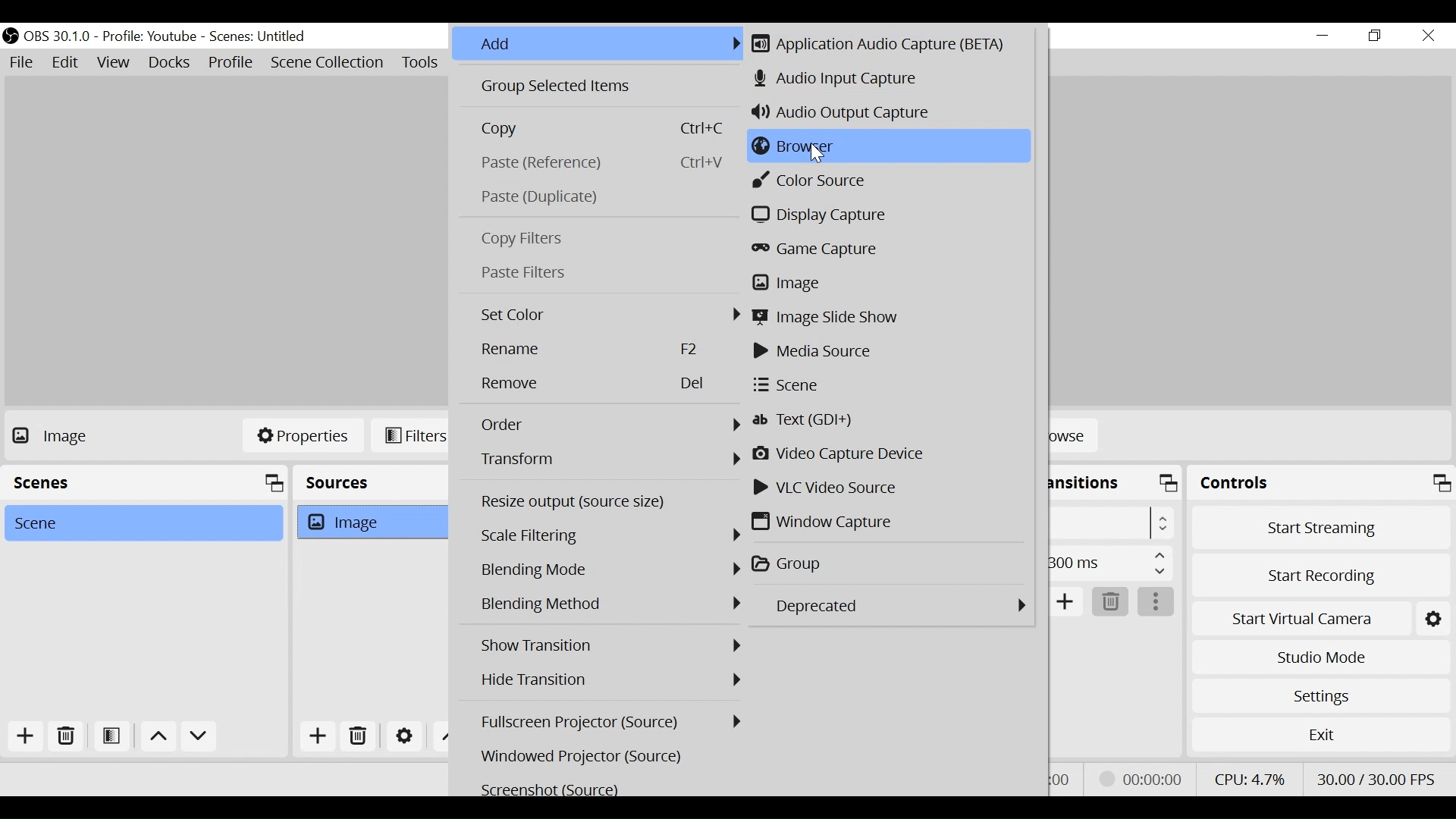  Describe the element at coordinates (611, 315) in the screenshot. I see `Set Color` at that location.